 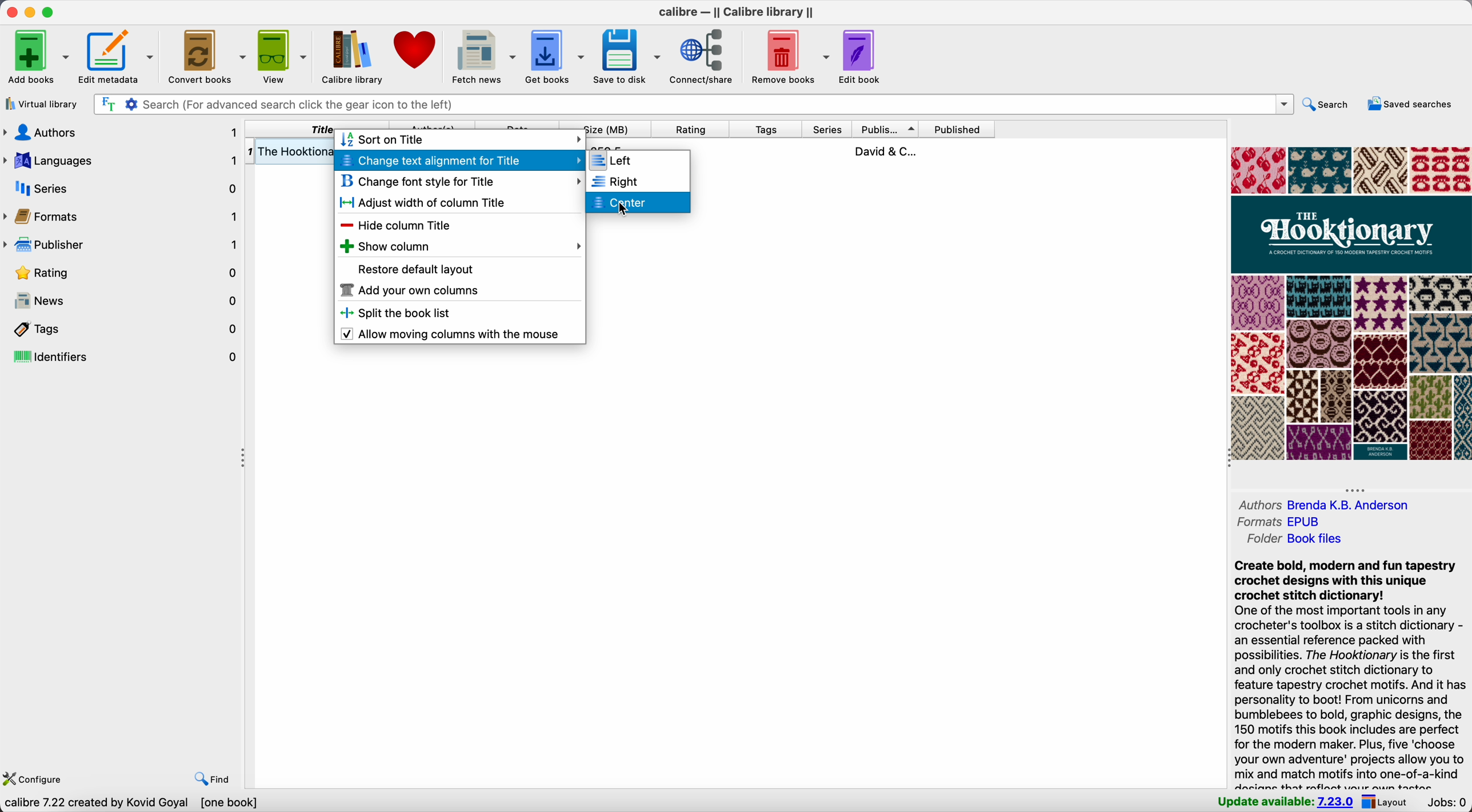 What do you see at coordinates (131, 804) in the screenshot?
I see `data` at bounding box center [131, 804].